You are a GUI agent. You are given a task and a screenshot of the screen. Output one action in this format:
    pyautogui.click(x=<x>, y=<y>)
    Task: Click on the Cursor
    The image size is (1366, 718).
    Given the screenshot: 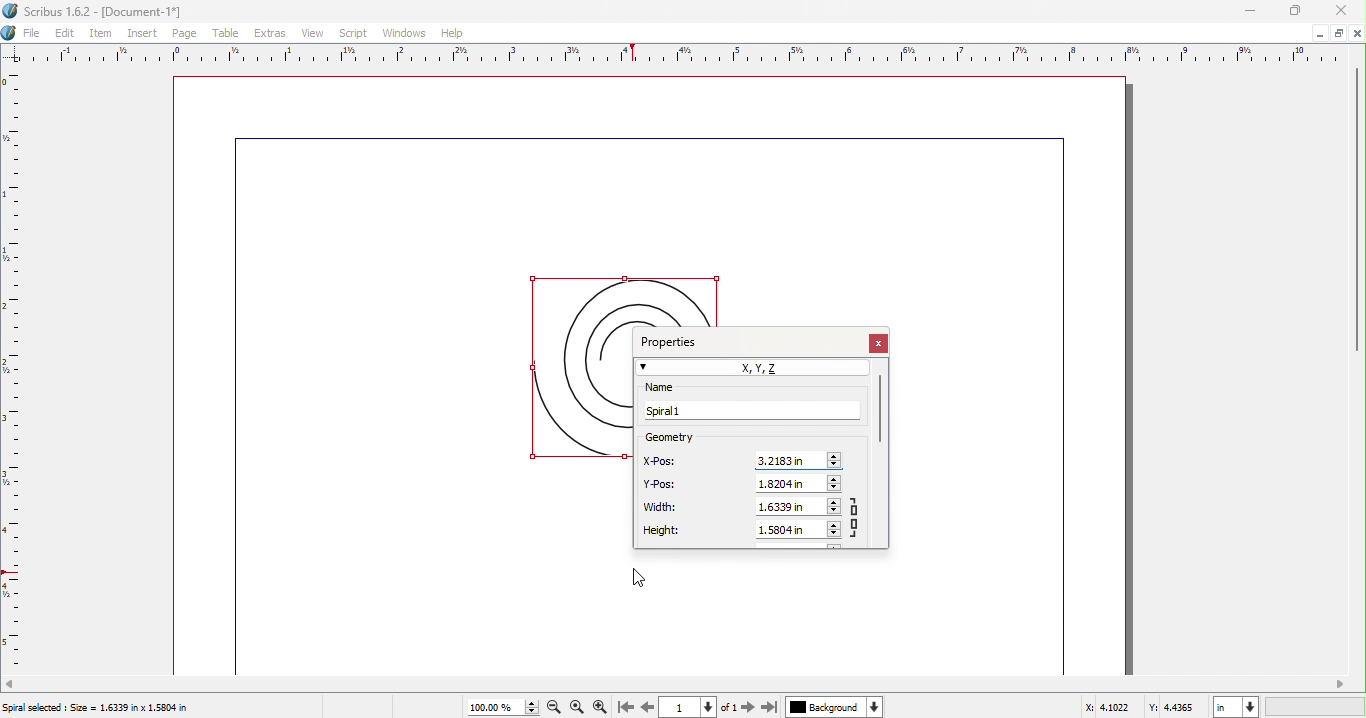 What is the action you would take?
    pyautogui.click(x=639, y=576)
    